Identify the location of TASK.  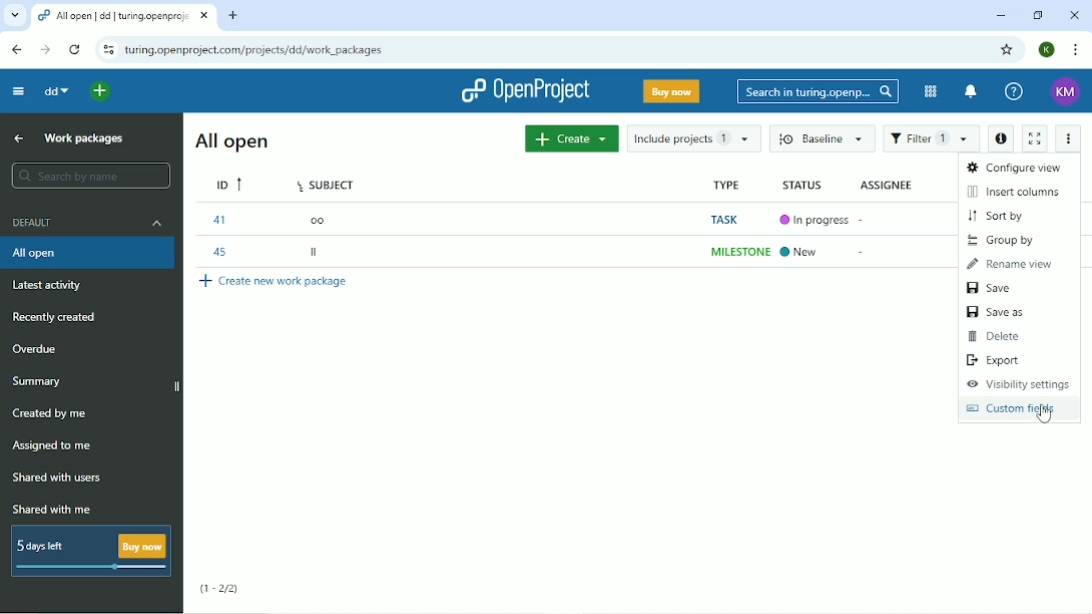
(729, 220).